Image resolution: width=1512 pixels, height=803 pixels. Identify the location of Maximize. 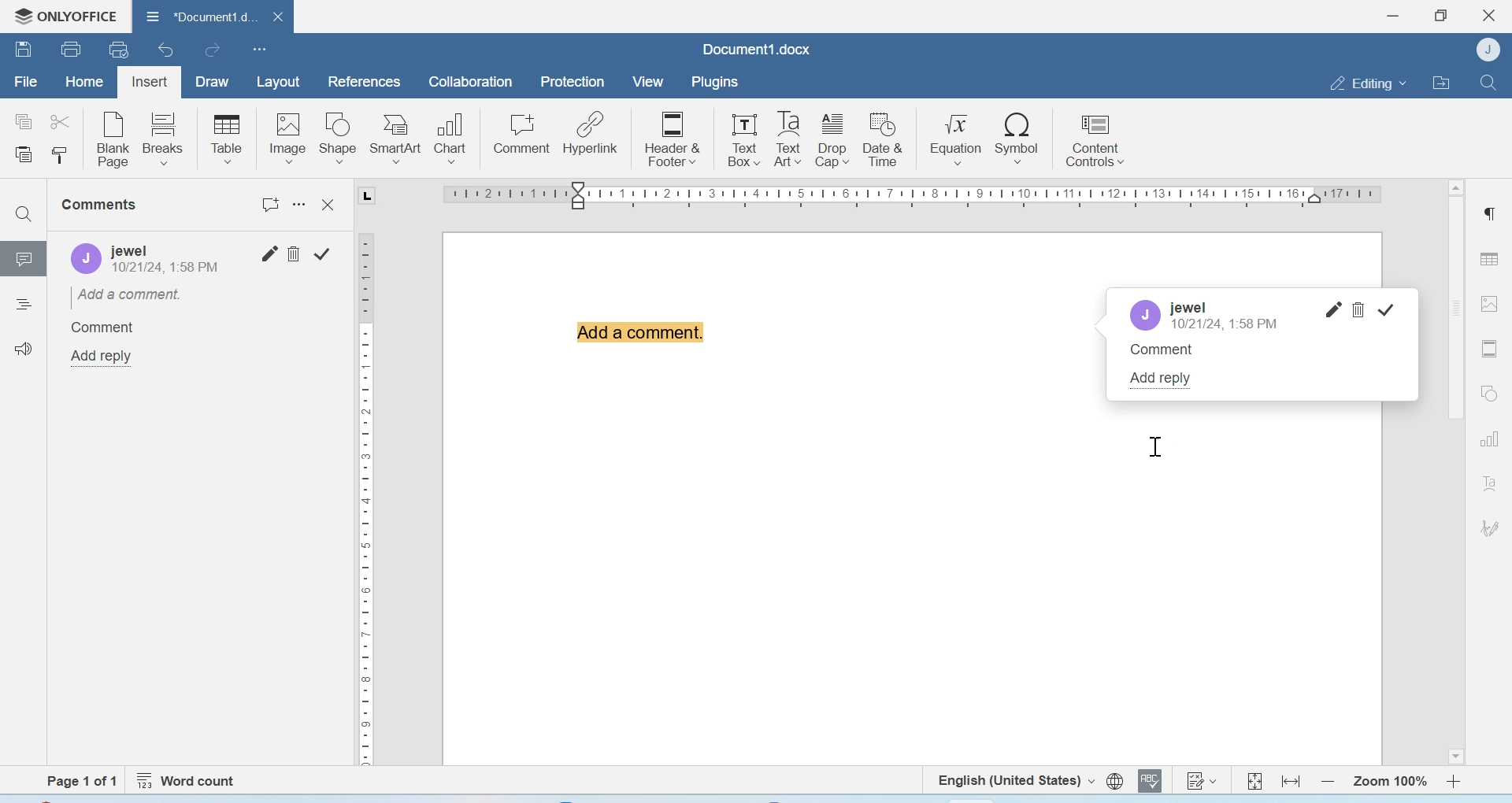
(1440, 16).